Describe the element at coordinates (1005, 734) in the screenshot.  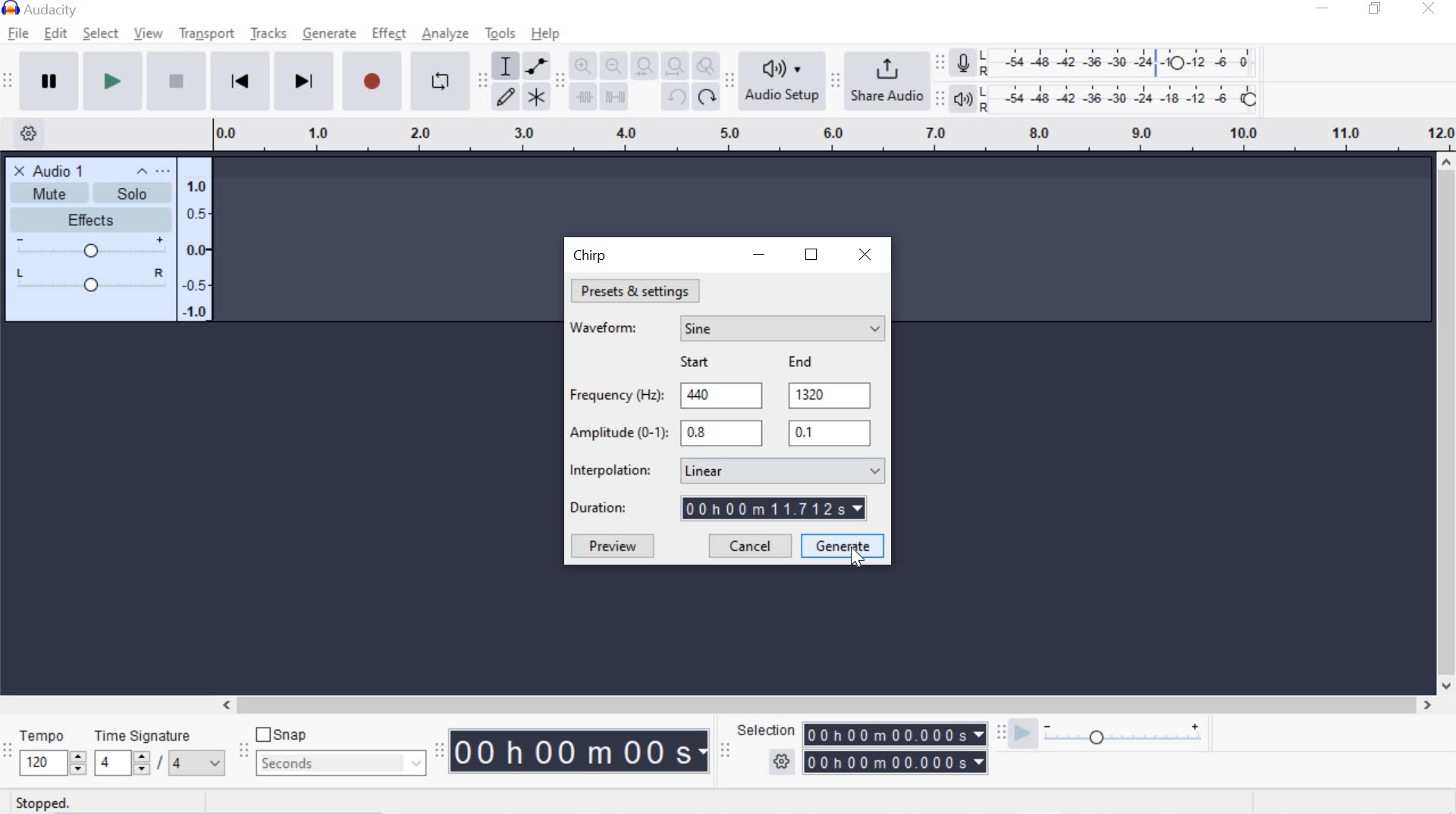
I see `Play-at-speed toolbar` at that location.